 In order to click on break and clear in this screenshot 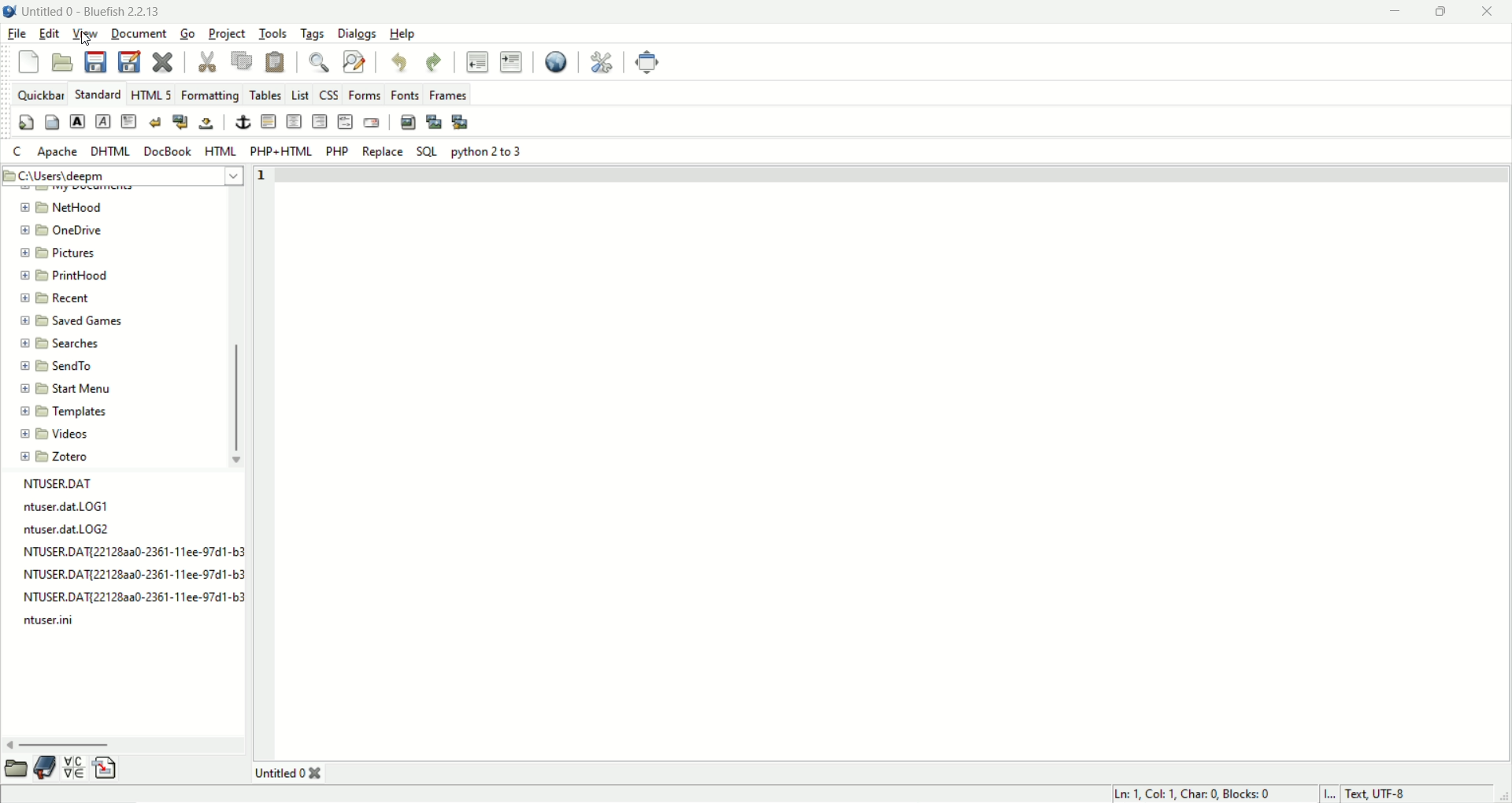, I will do `click(180, 121)`.